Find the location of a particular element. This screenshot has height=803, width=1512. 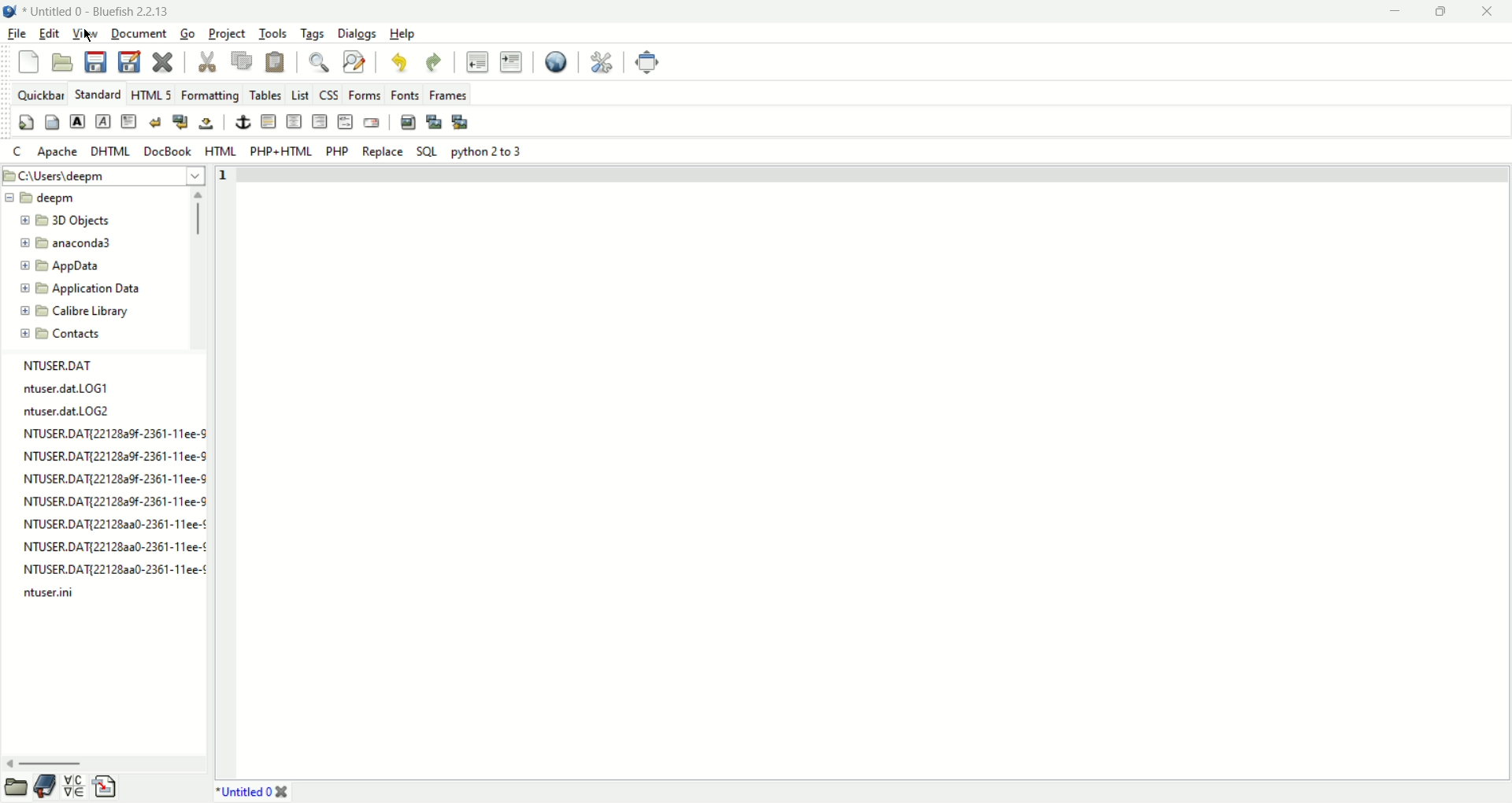

NTUSER.DAT{22128a9f-2361-11ee-S is located at coordinates (115, 433).